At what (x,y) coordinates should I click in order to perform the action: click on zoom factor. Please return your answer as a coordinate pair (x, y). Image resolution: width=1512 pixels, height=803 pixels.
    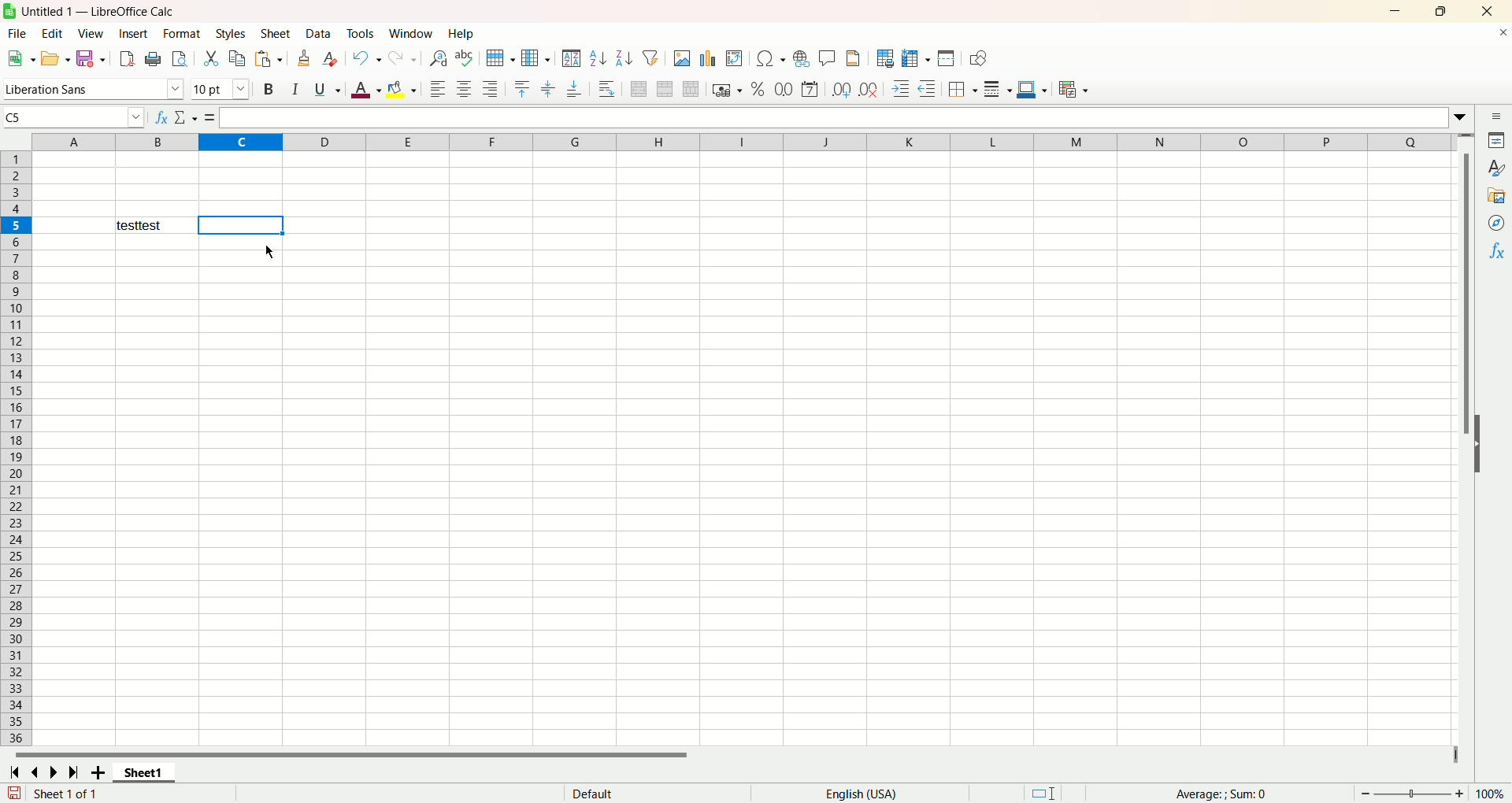
    Looking at the image, I should click on (1430, 792).